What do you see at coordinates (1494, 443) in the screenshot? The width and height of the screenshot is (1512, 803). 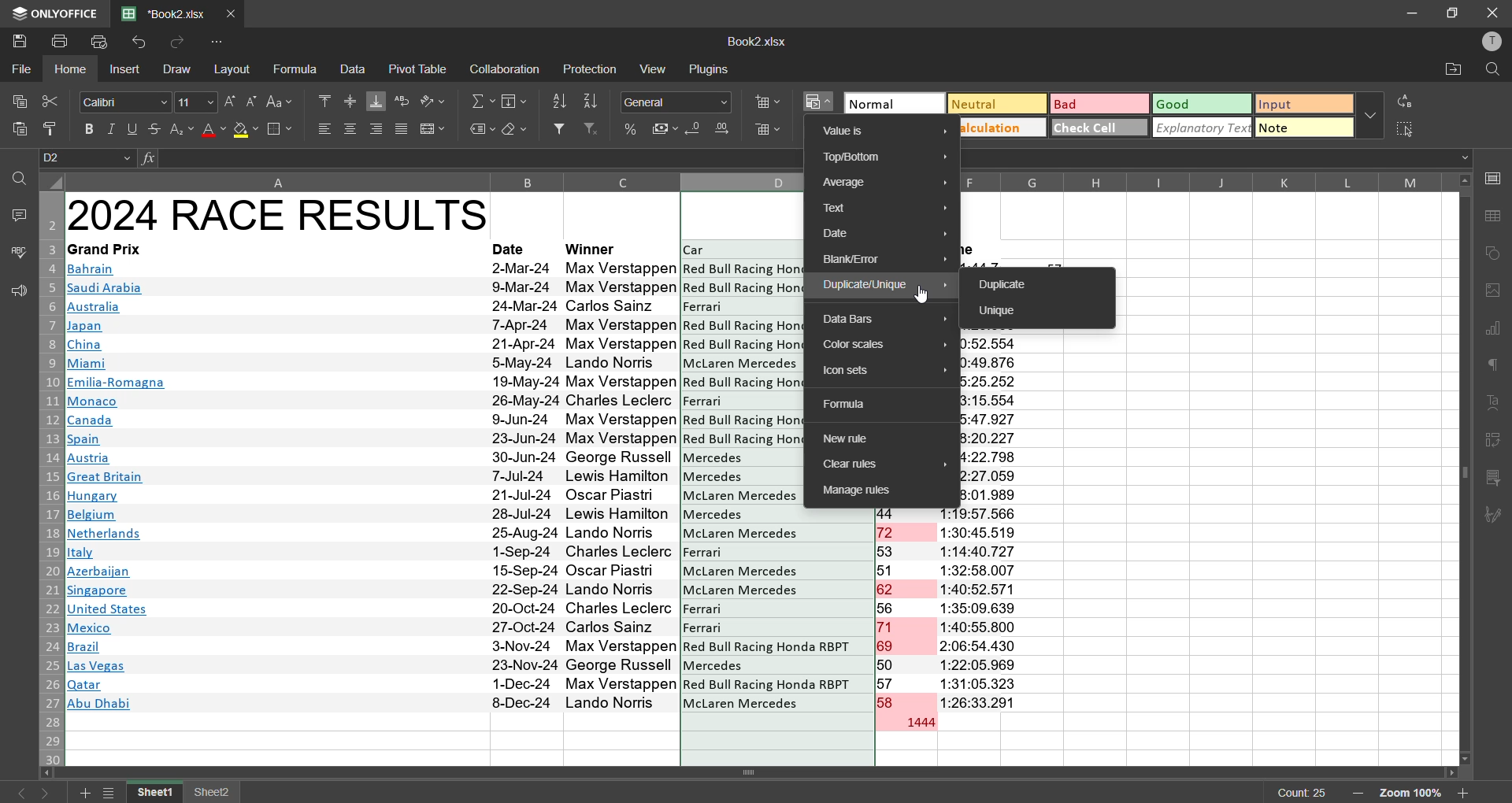 I see `pivot table` at bounding box center [1494, 443].